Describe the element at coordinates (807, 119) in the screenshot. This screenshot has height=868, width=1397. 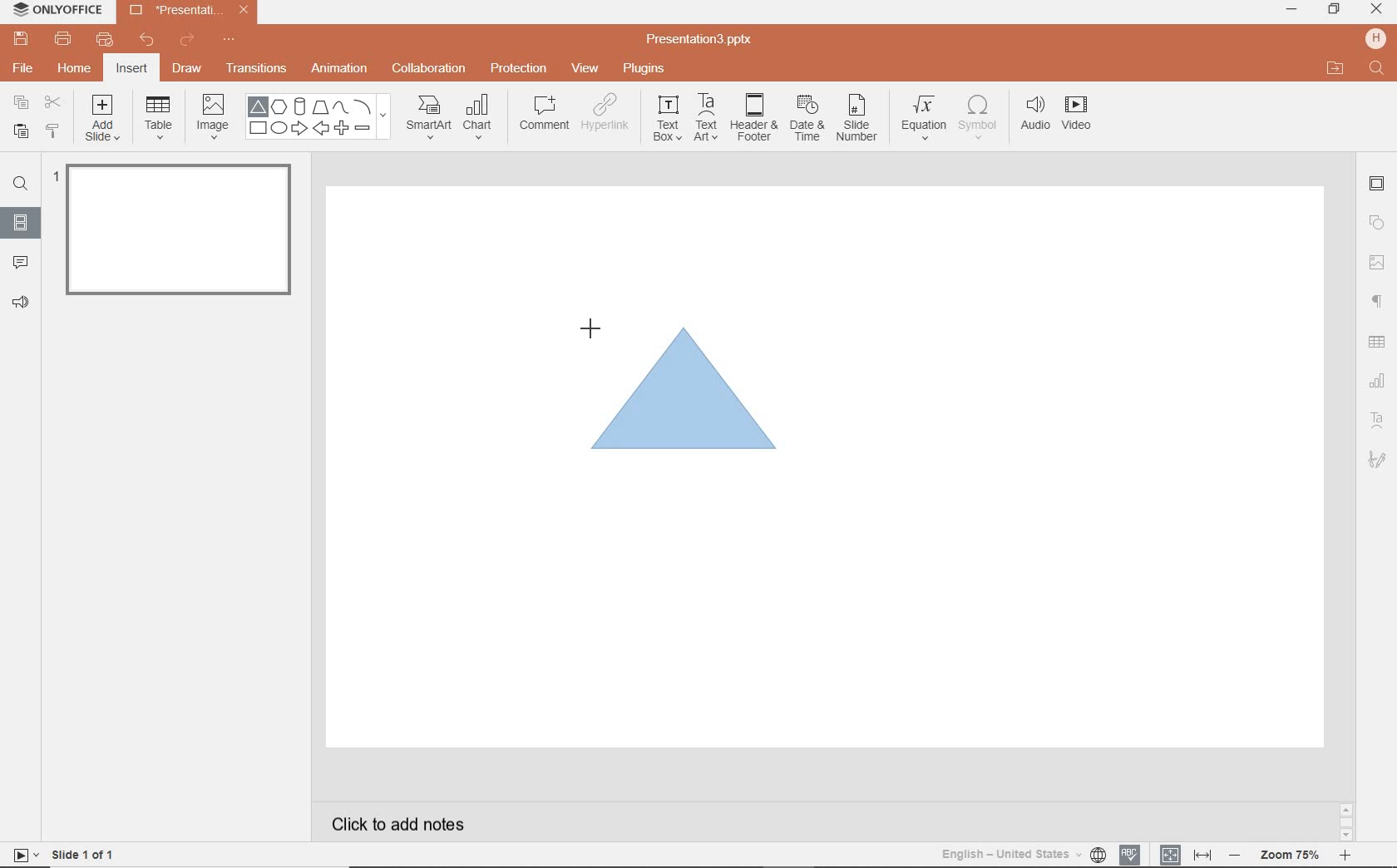
I see `DATE & TIME` at that location.